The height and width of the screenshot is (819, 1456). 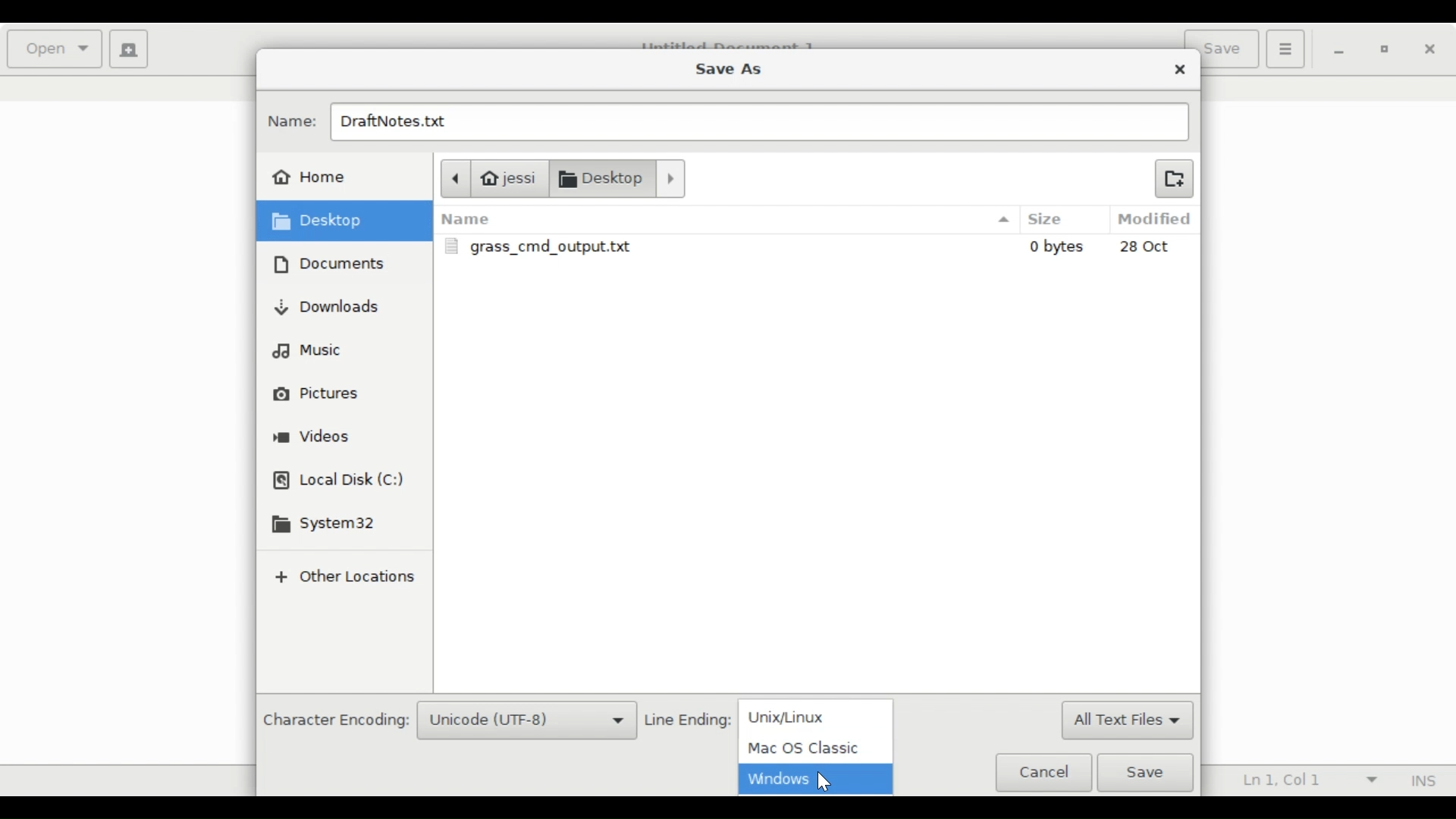 I want to click on Character Encoding, so click(x=334, y=721).